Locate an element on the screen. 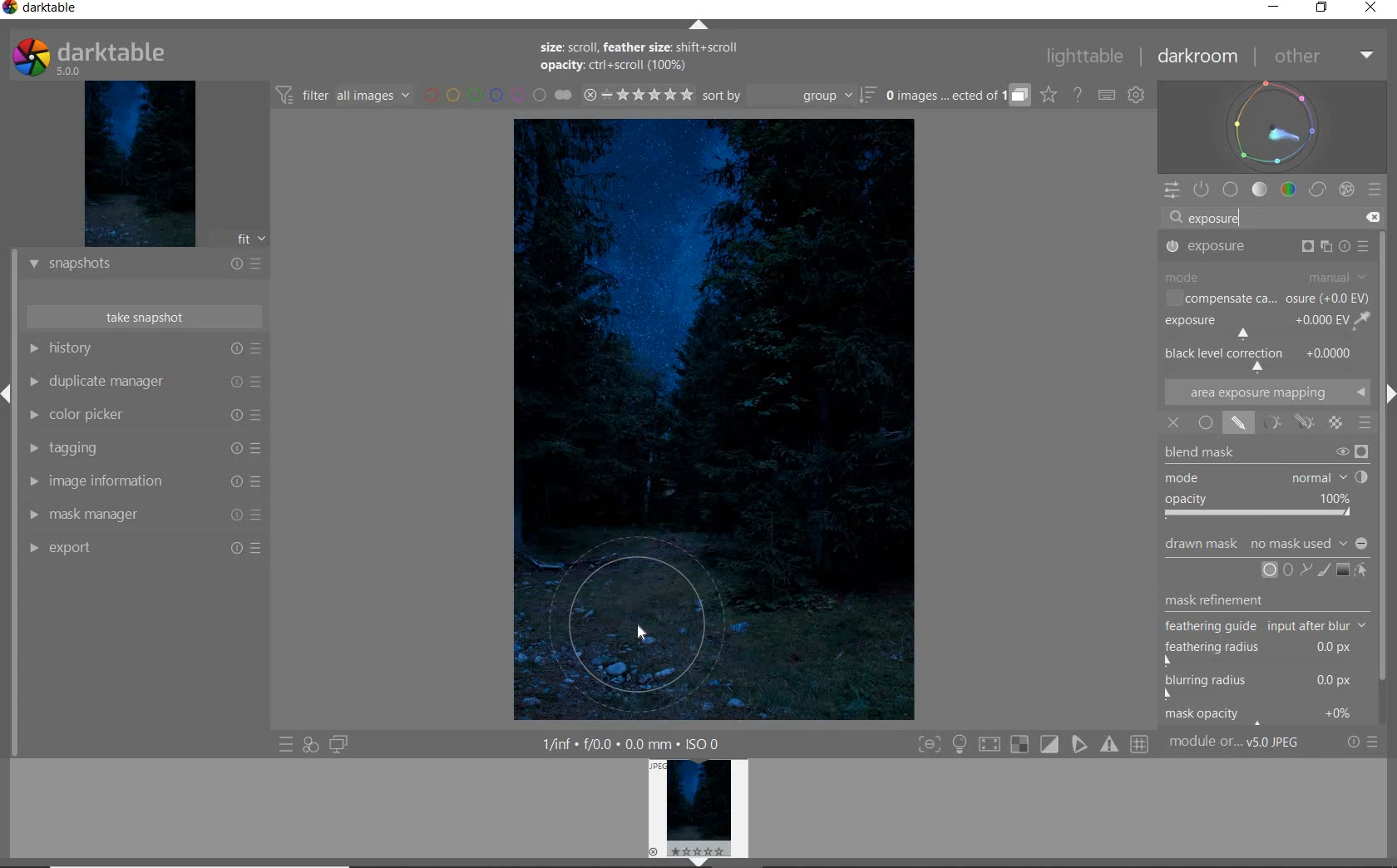 The height and width of the screenshot is (868, 1397). SHOW & EDIT MASK ELEMENTS is located at coordinates (1363, 571).